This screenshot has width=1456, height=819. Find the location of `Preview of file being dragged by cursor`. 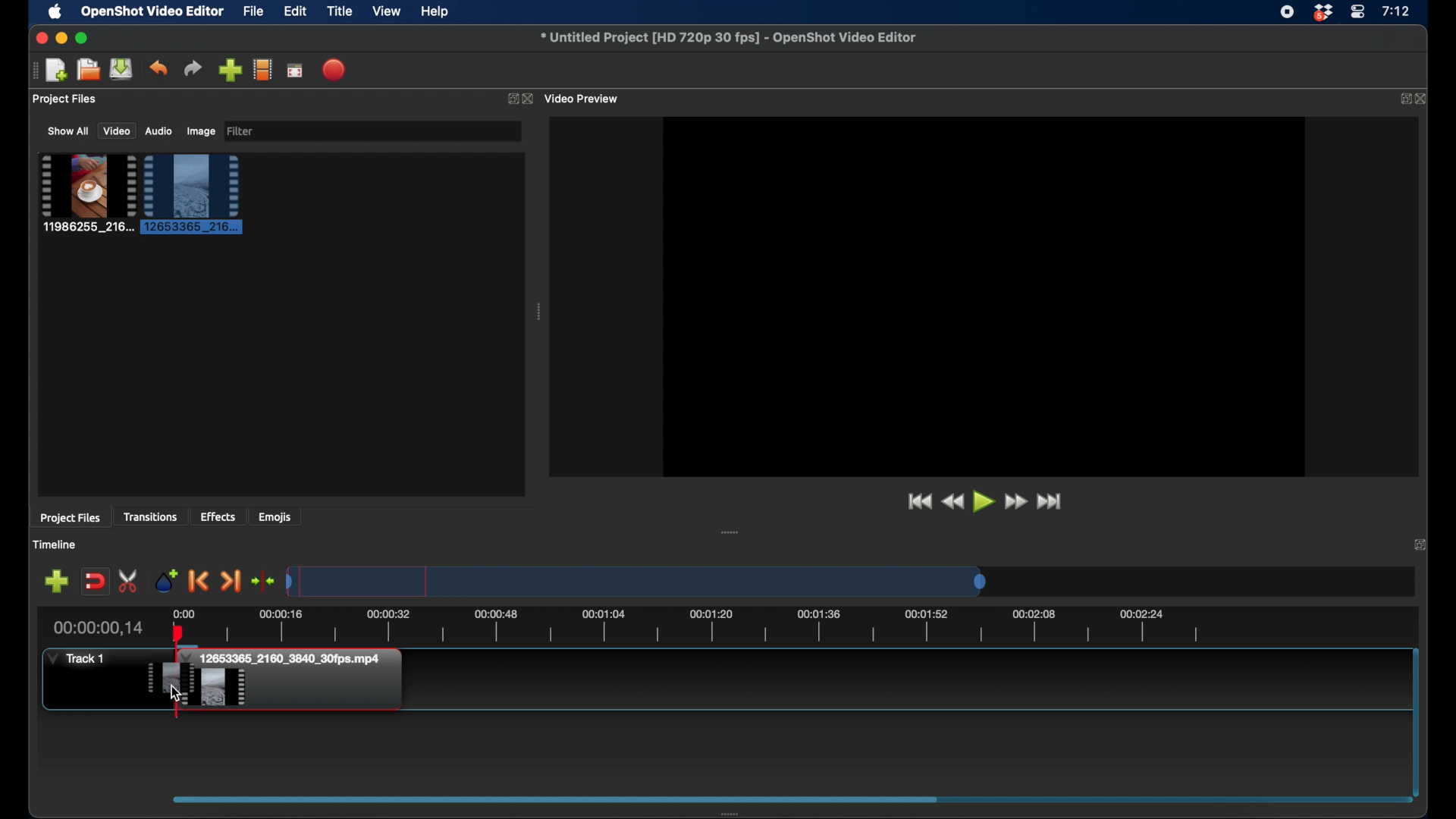

Preview of file being dragged by cursor is located at coordinates (169, 677).